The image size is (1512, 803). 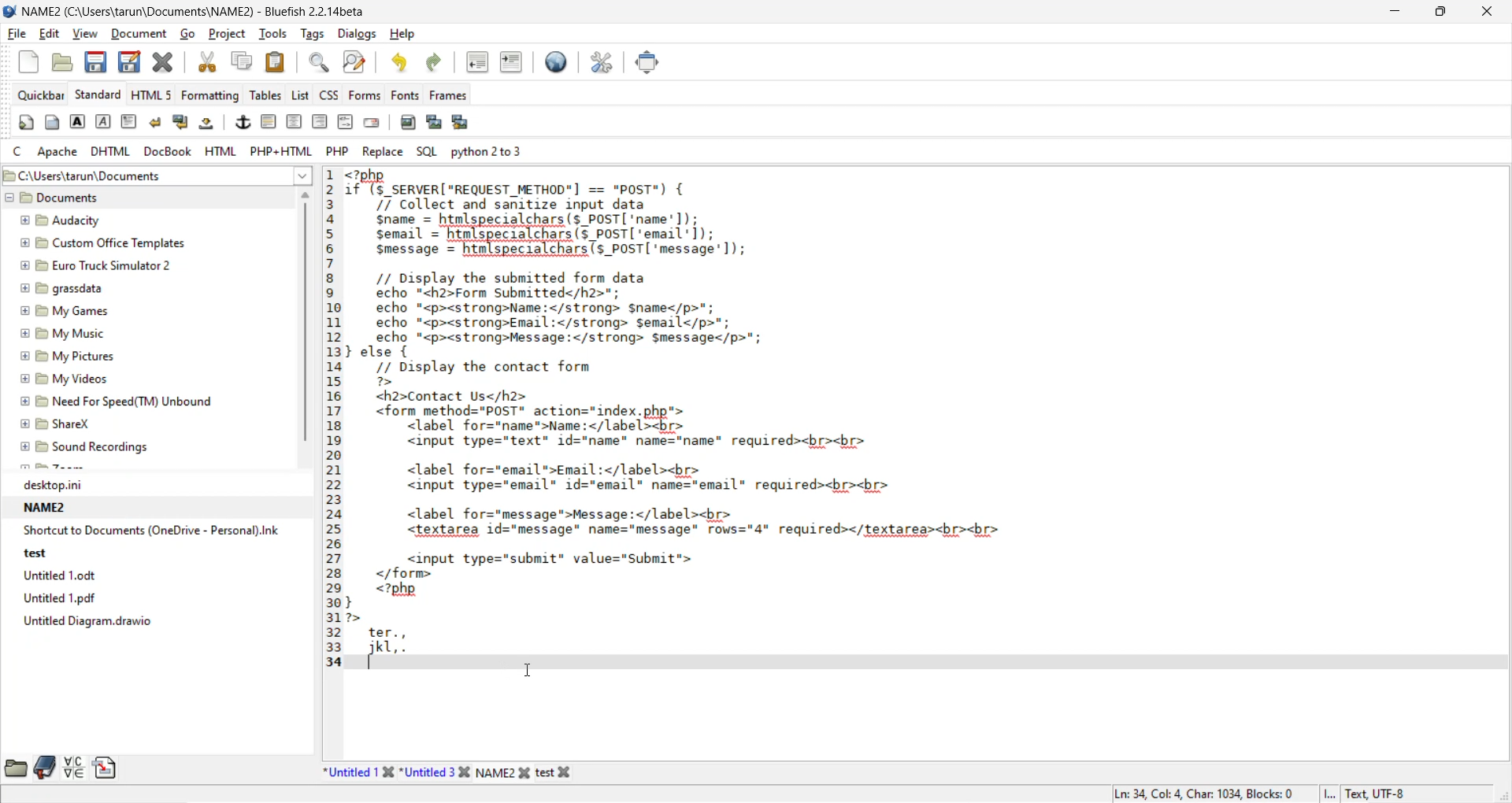 What do you see at coordinates (72, 356) in the screenshot?
I see `My Pictures` at bounding box center [72, 356].